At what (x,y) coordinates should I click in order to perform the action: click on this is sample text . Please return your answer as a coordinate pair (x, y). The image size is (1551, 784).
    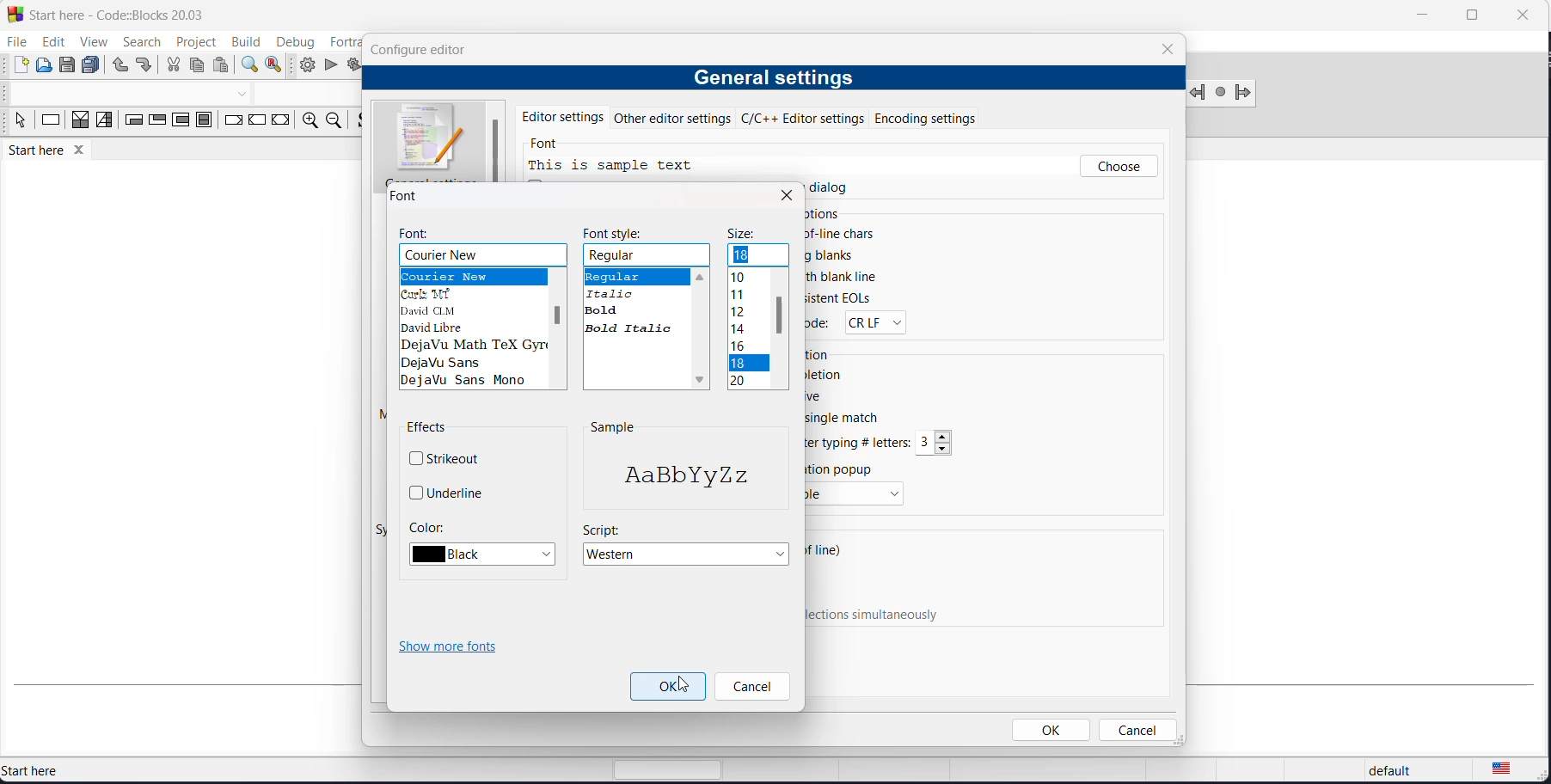
    Looking at the image, I should click on (616, 166).